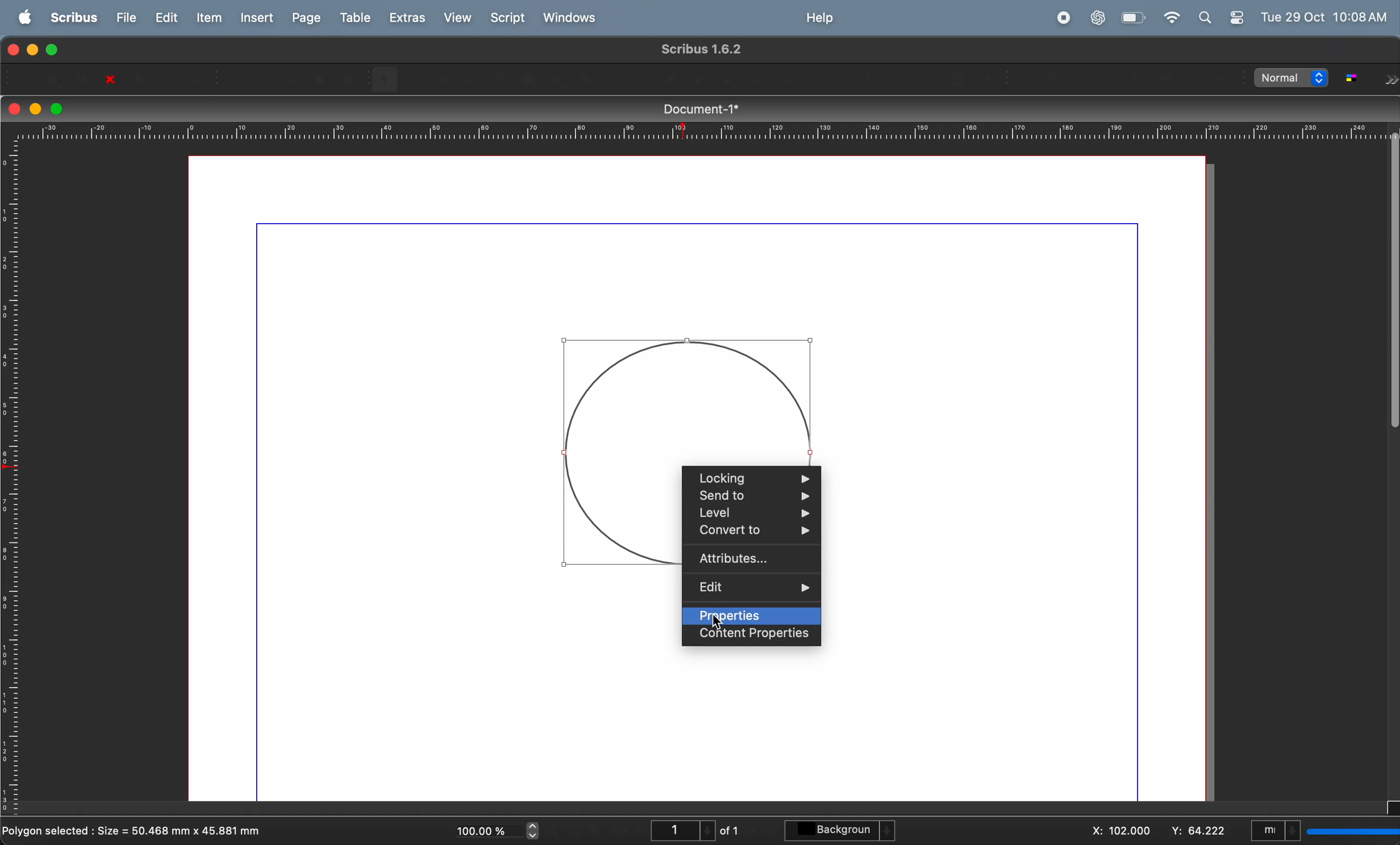 This screenshot has height=845, width=1400. I want to click on document title, so click(696, 110).